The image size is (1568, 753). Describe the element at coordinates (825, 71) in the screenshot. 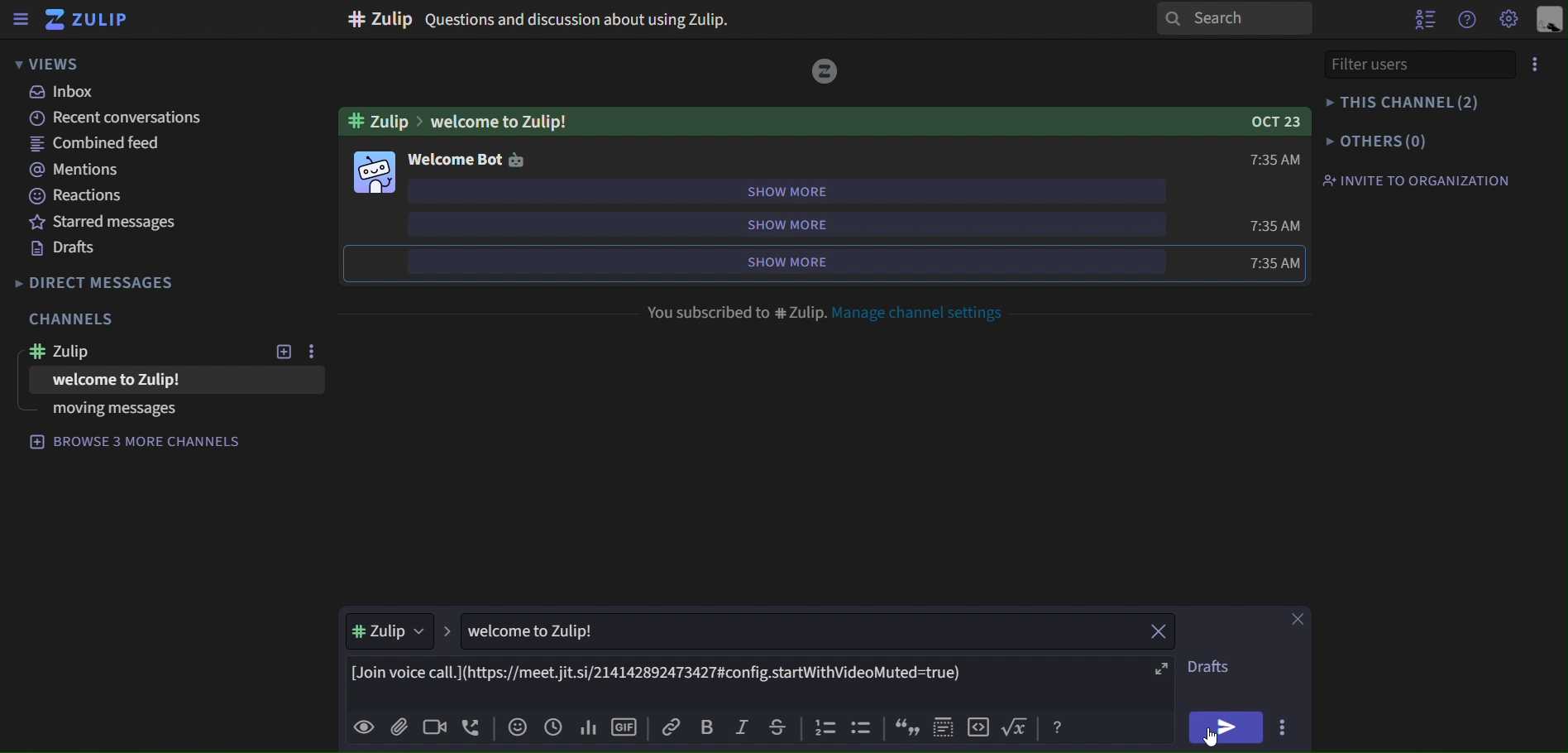

I see `logo` at that location.